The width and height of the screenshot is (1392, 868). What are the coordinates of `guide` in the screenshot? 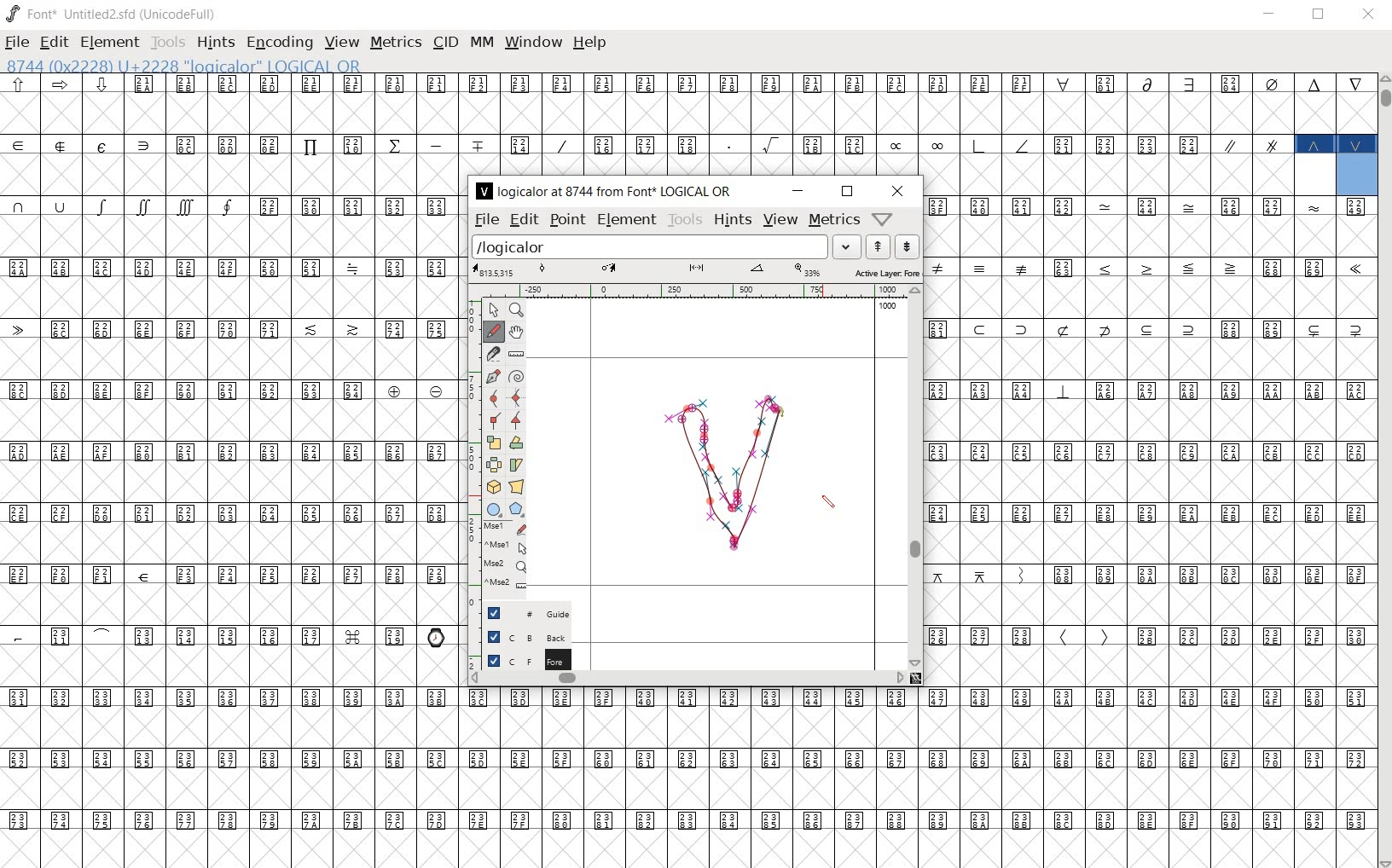 It's located at (519, 615).